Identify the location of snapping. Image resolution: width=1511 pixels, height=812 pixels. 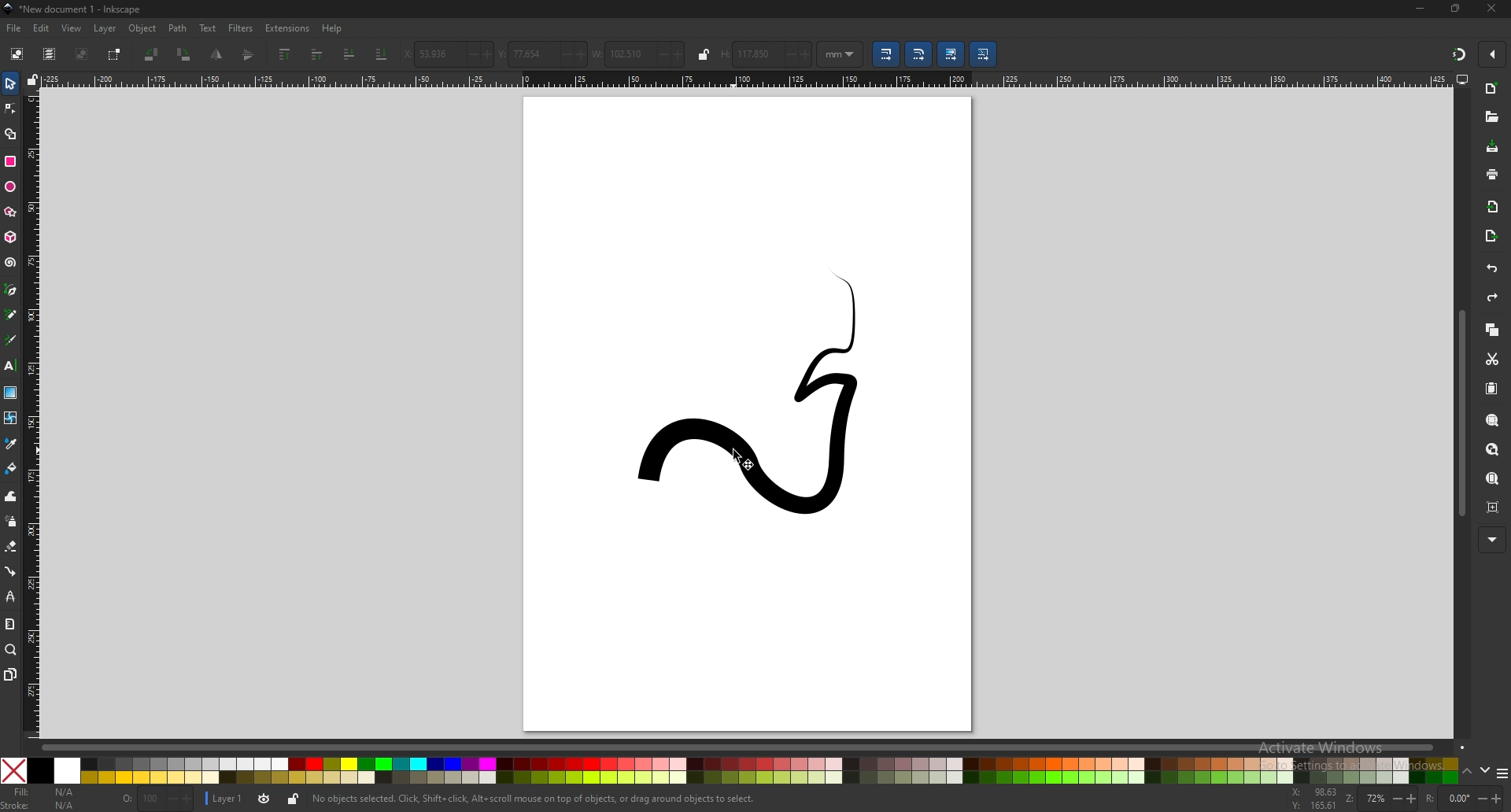
(1457, 54).